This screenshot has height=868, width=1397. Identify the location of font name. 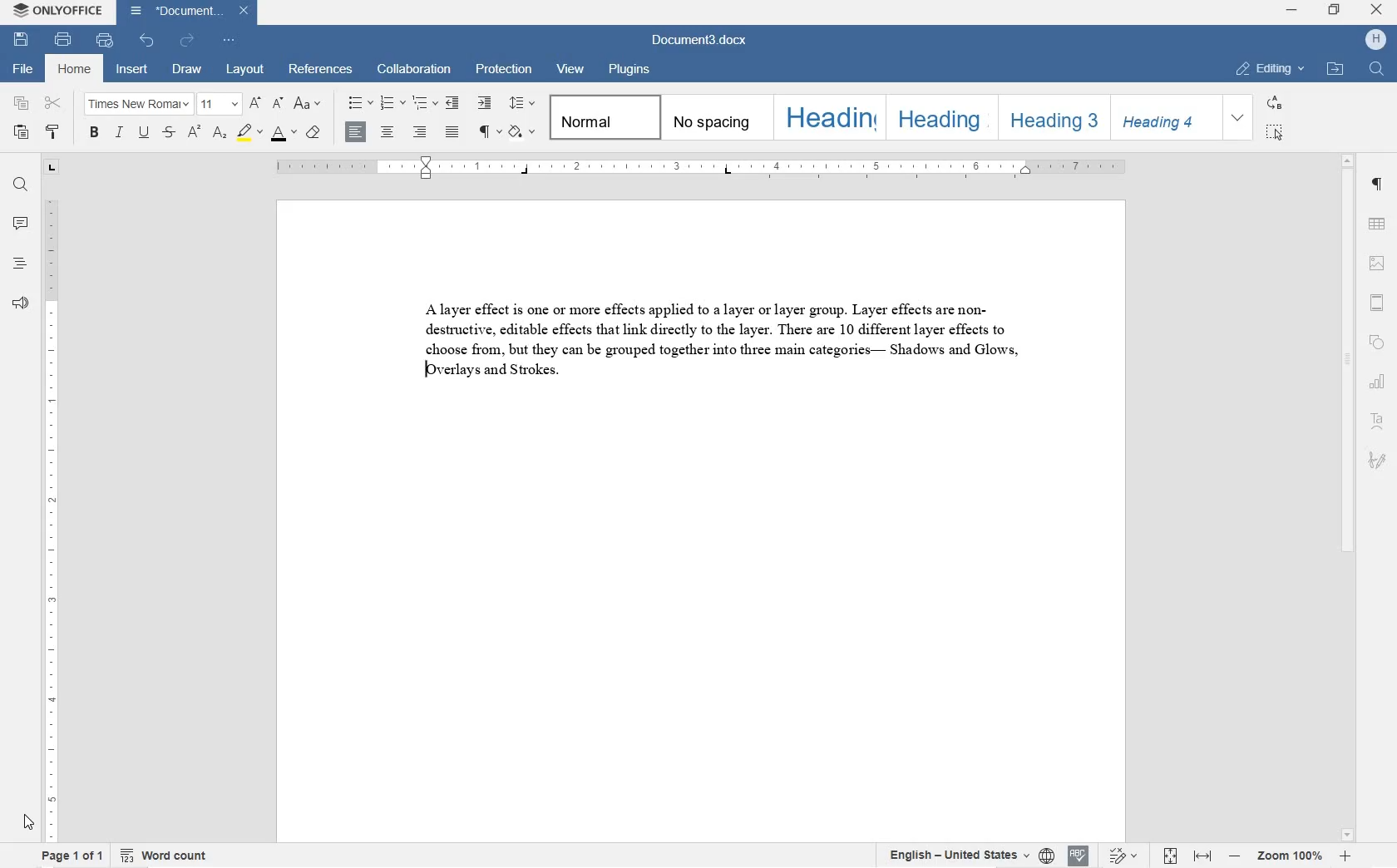
(137, 103).